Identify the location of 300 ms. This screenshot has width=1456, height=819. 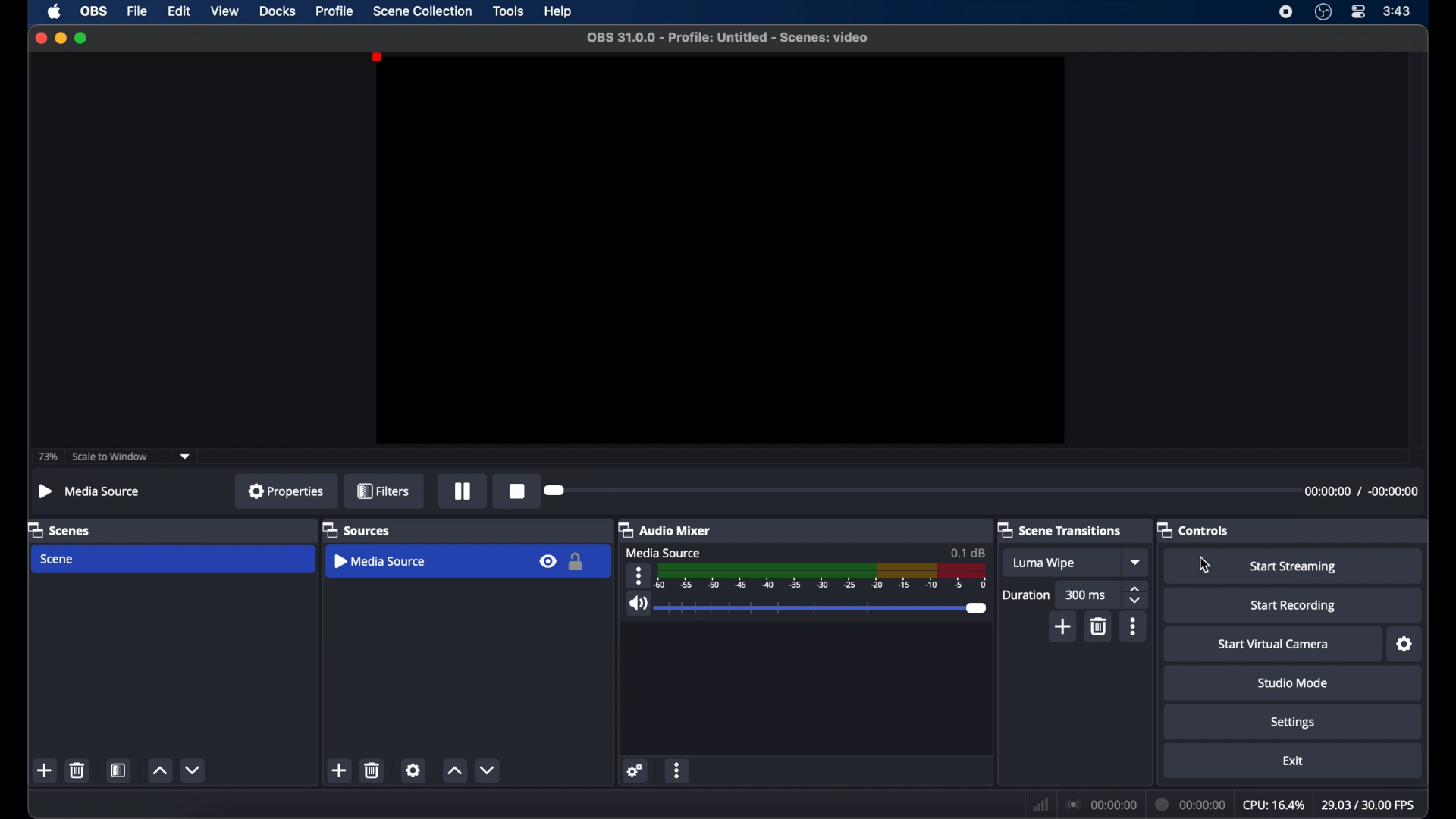
(1087, 594).